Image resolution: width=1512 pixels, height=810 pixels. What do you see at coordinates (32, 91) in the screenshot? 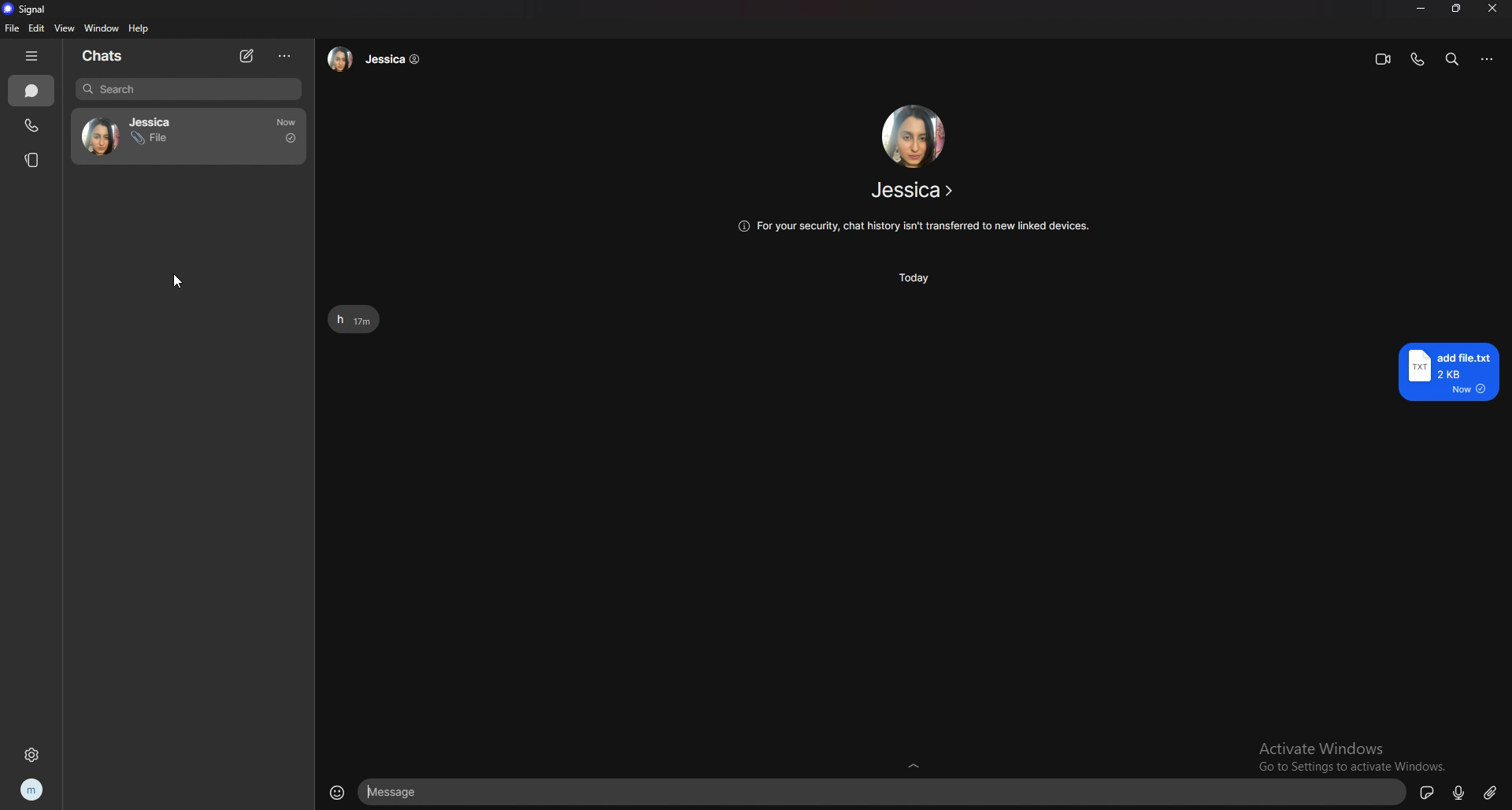
I see `chats` at bounding box center [32, 91].